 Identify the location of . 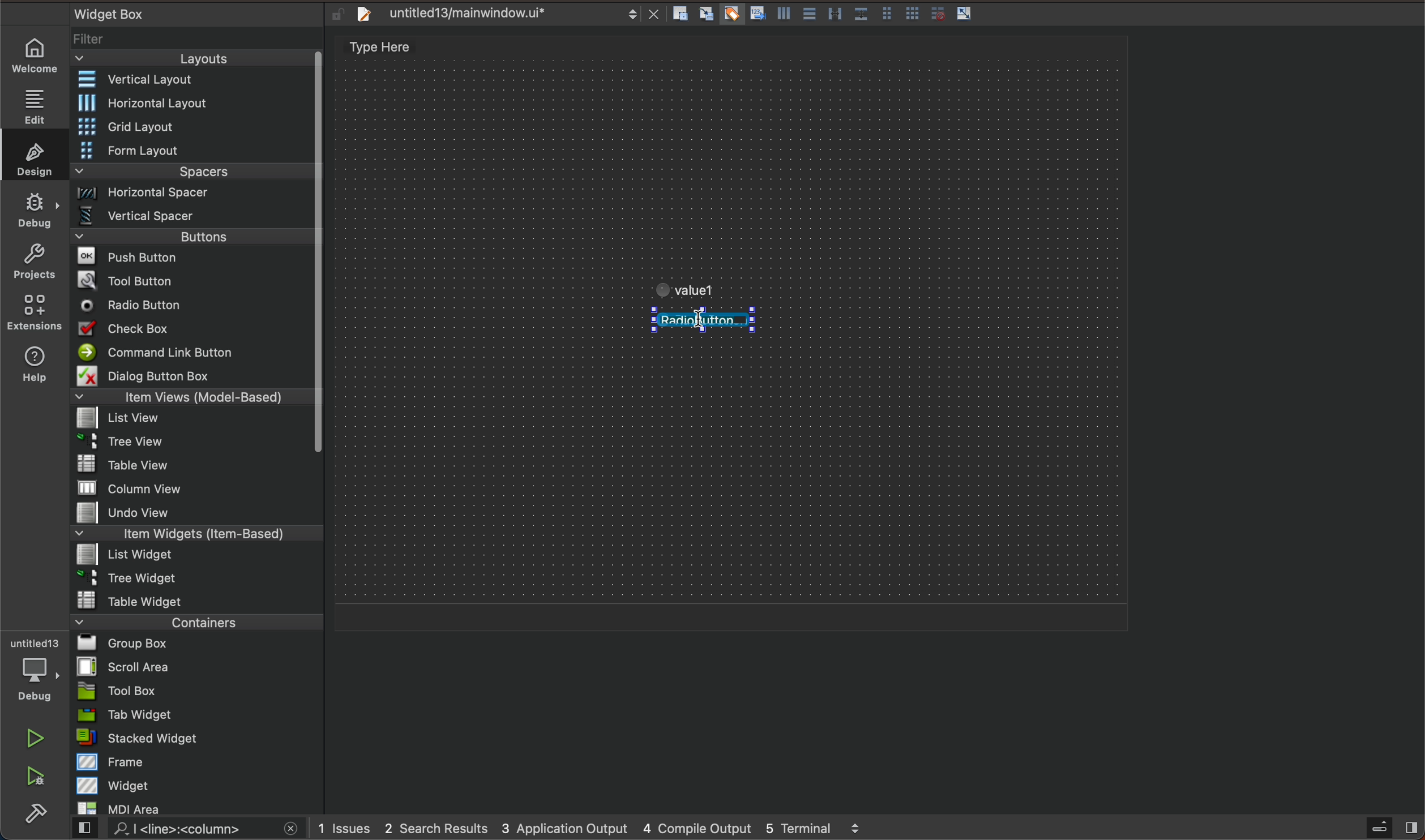
(782, 16).